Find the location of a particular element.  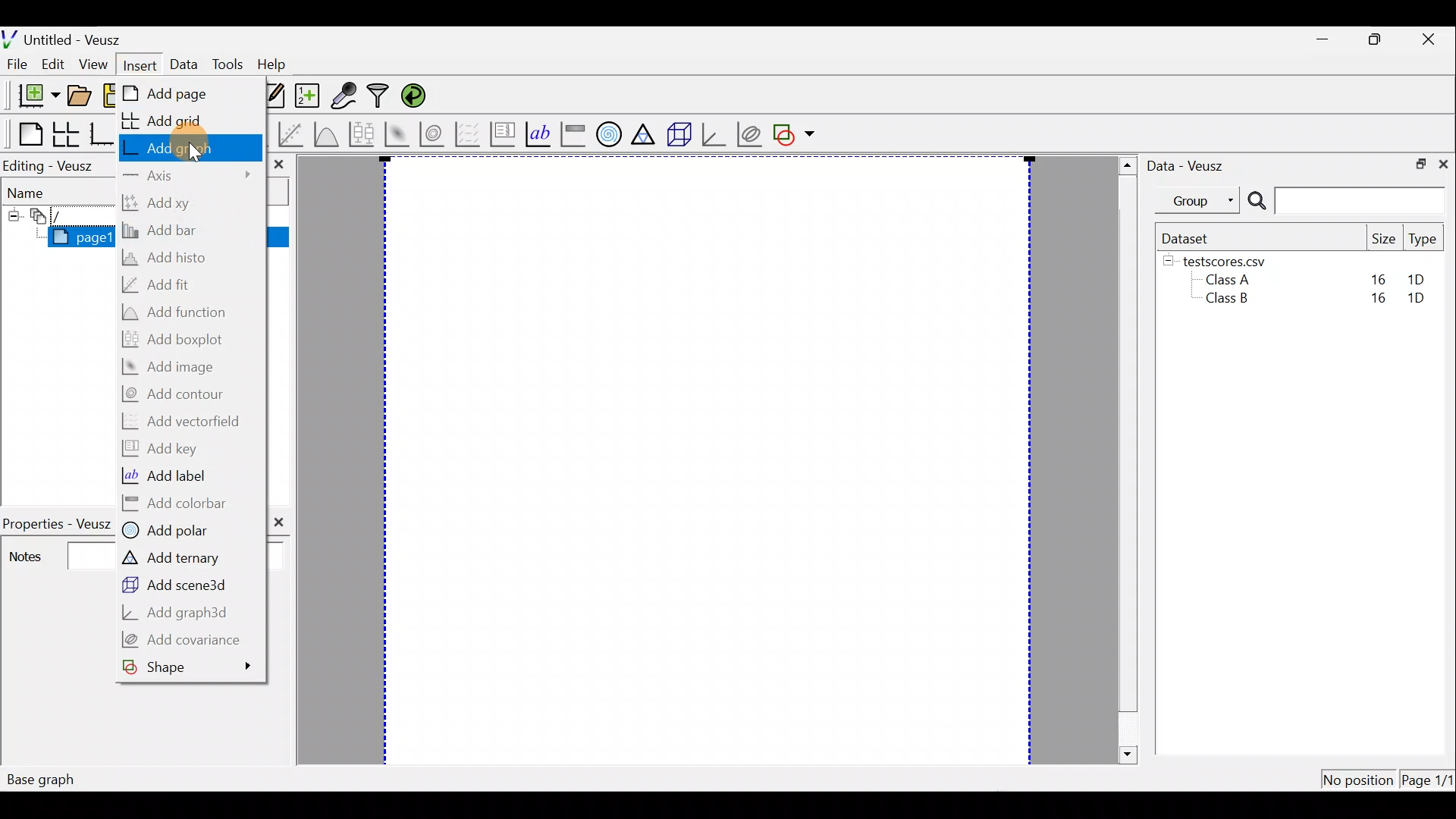

Add page is located at coordinates (173, 93).